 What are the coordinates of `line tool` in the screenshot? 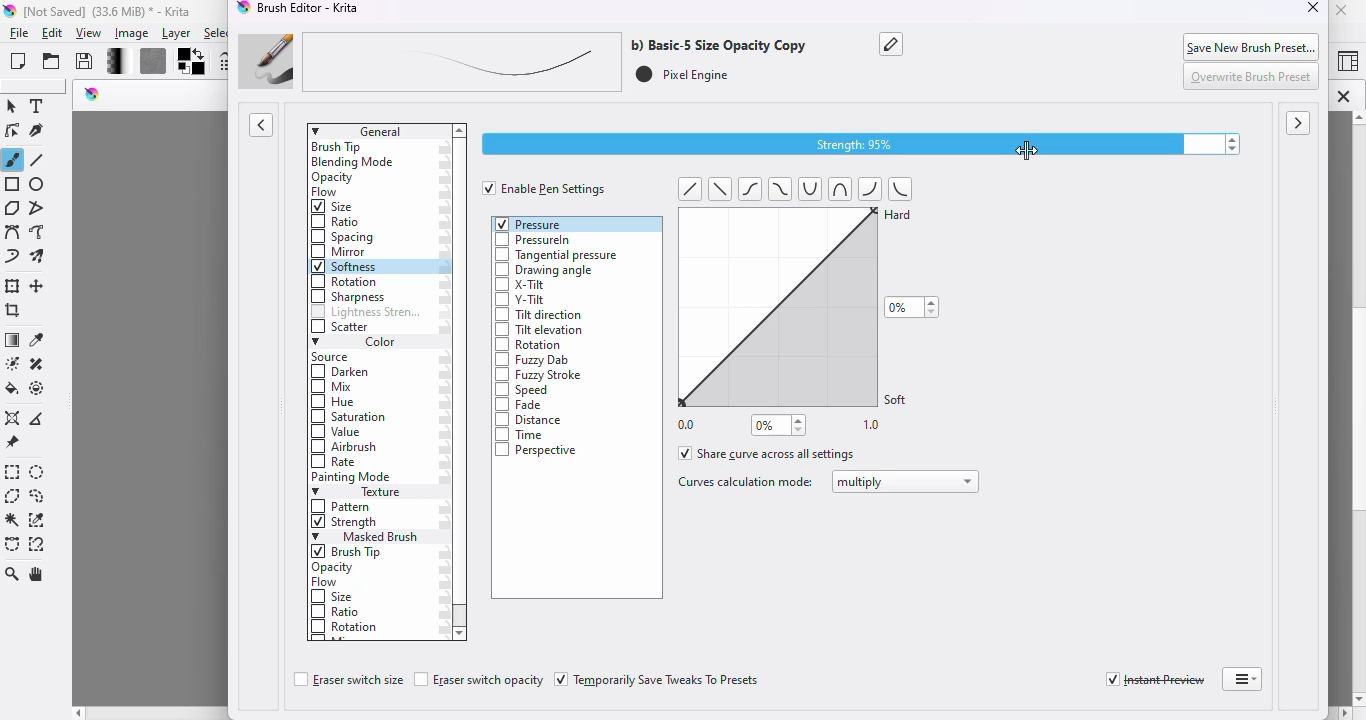 It's located at (40, 160).